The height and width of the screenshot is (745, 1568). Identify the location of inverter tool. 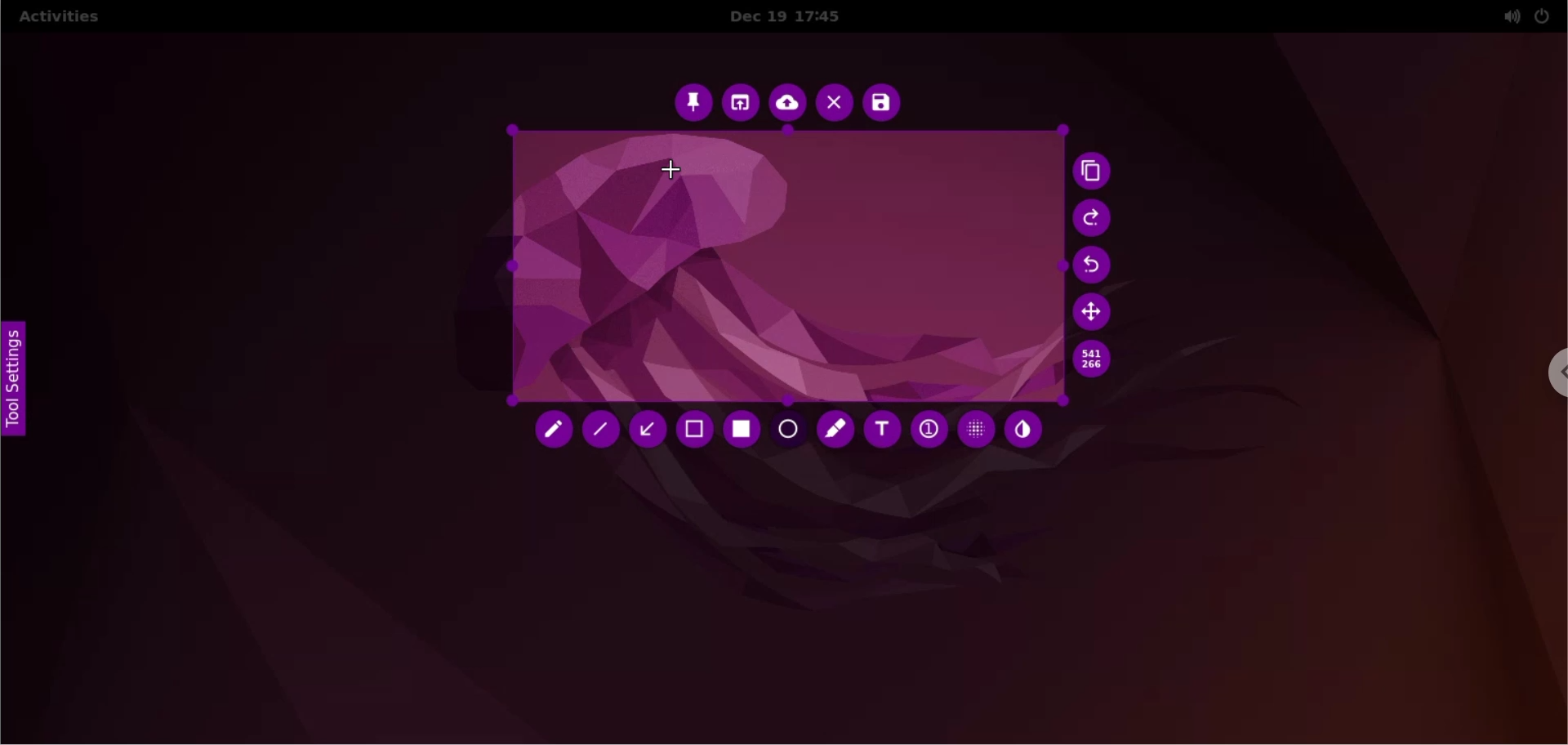
(1023, 430).